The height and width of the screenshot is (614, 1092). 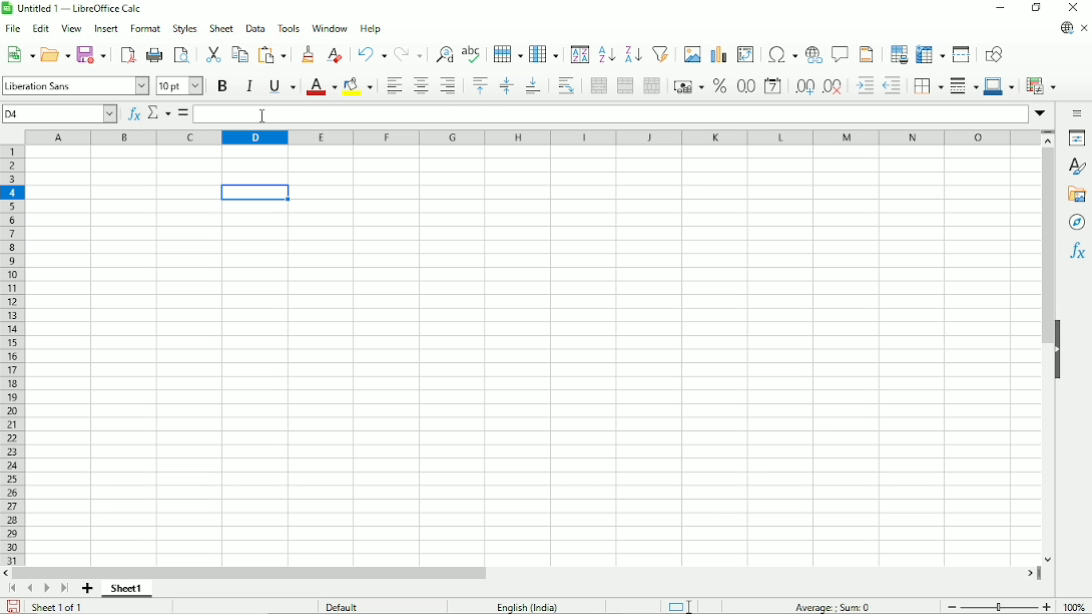 I want to click on Functions, so click(x=1077, y=251).